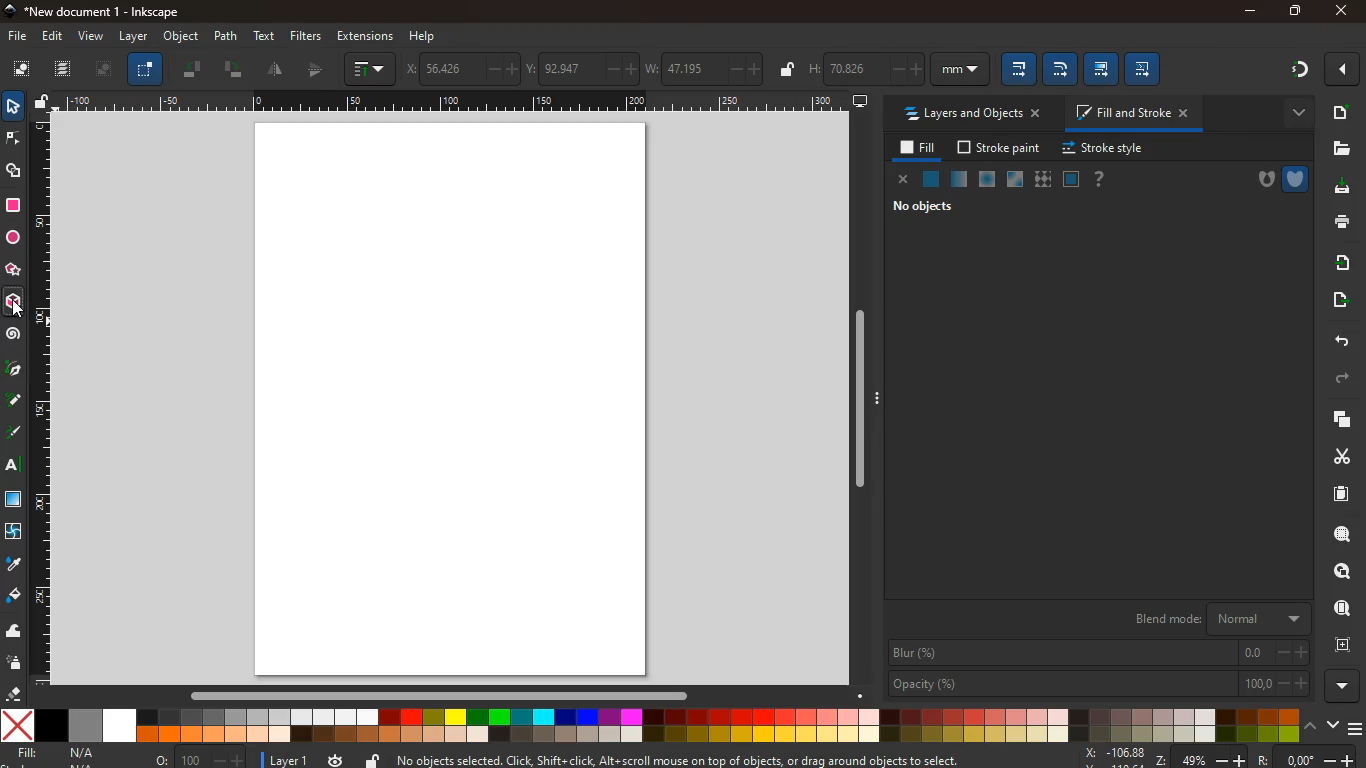 This screenshot has width=1366, height=768. I want to click on graph, so click(371, 69).